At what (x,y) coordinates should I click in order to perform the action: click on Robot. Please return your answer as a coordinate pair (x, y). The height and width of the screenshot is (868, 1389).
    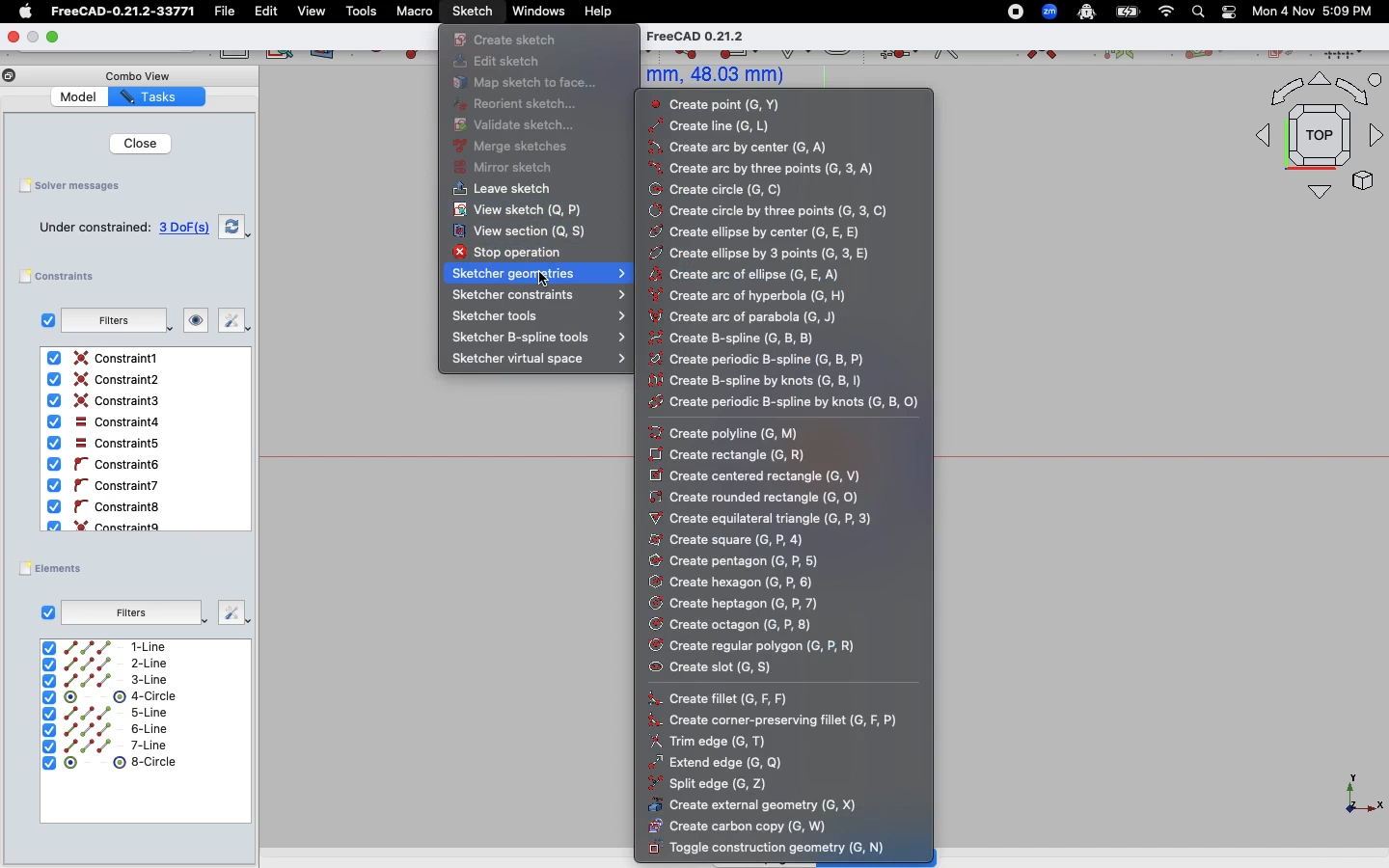
    Looking at the image, I should click on (1086, 14).